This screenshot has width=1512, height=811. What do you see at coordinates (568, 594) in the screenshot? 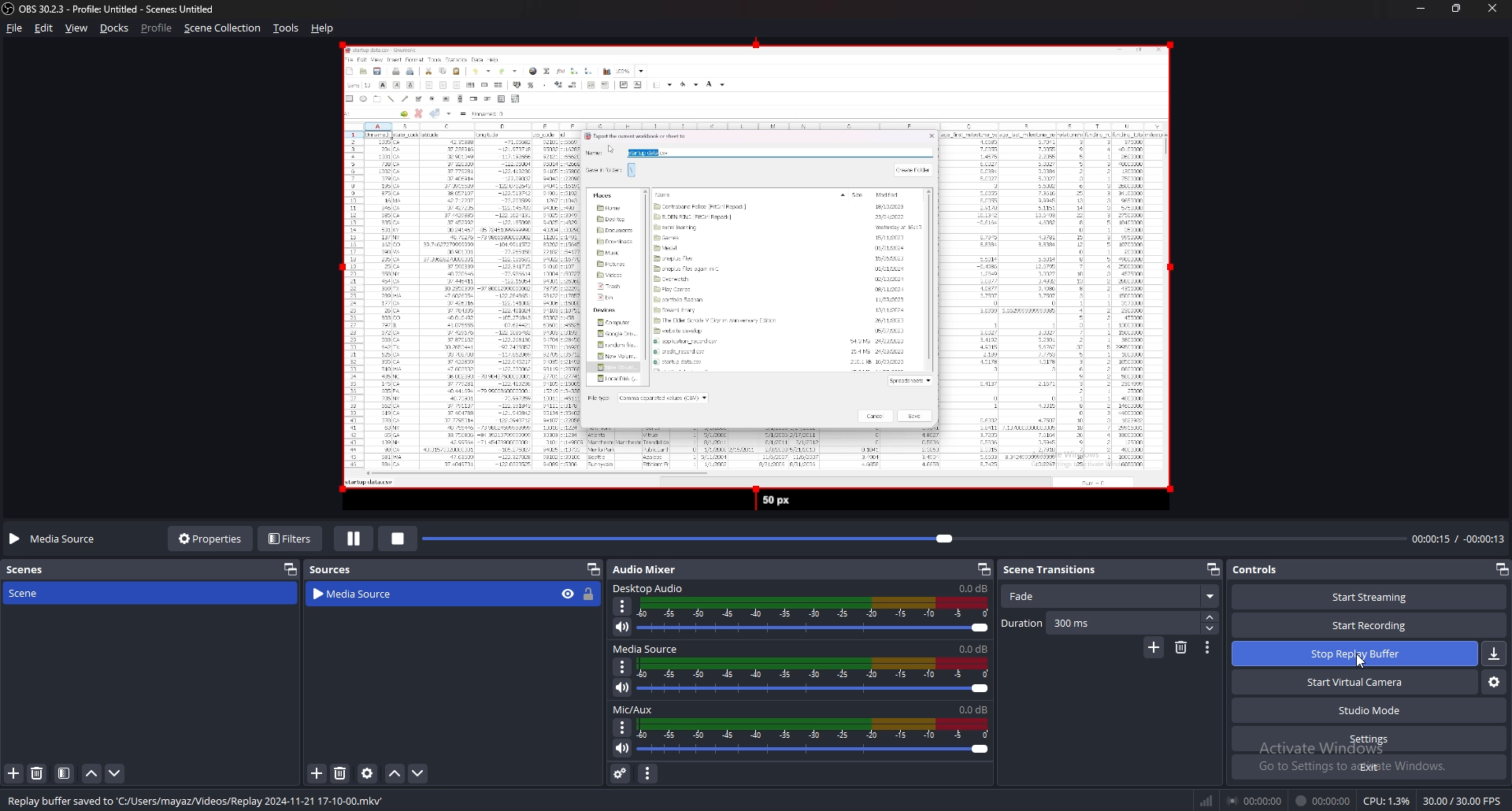
I see `hide` at bounding box center [568, 594].